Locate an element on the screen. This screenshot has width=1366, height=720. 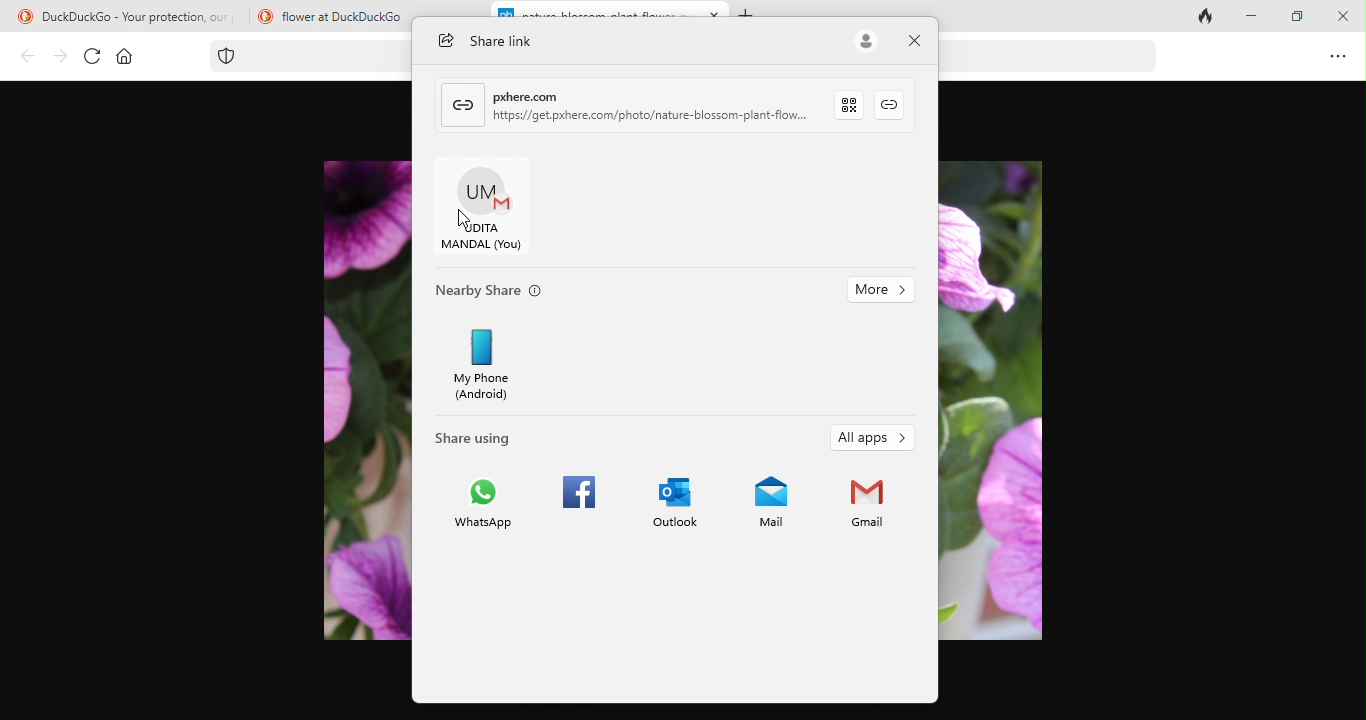
prhere.com
hitpsy/get pxhere.com/photo/nature- blossom-plant-fiow... is located at coordinates (654, 103).